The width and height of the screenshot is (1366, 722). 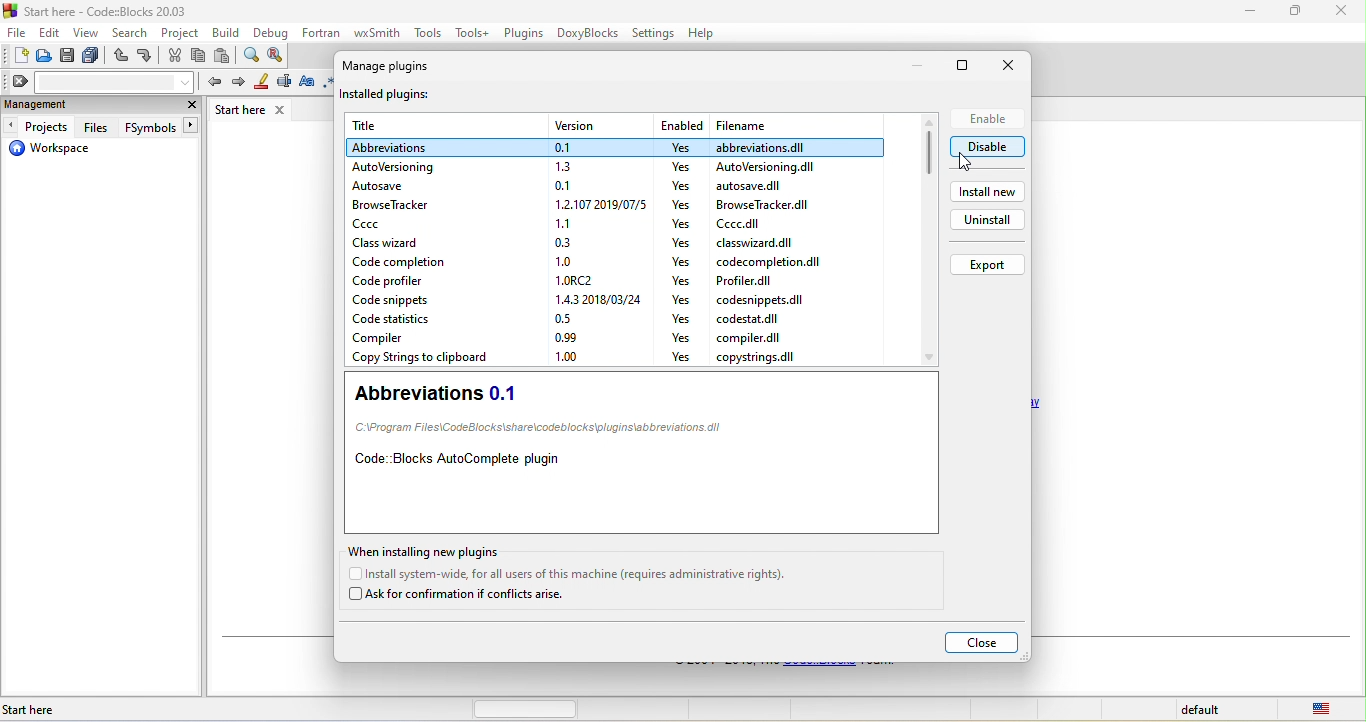 I want to click on install system wide for all users of this machine, so click(x=583, y=574).